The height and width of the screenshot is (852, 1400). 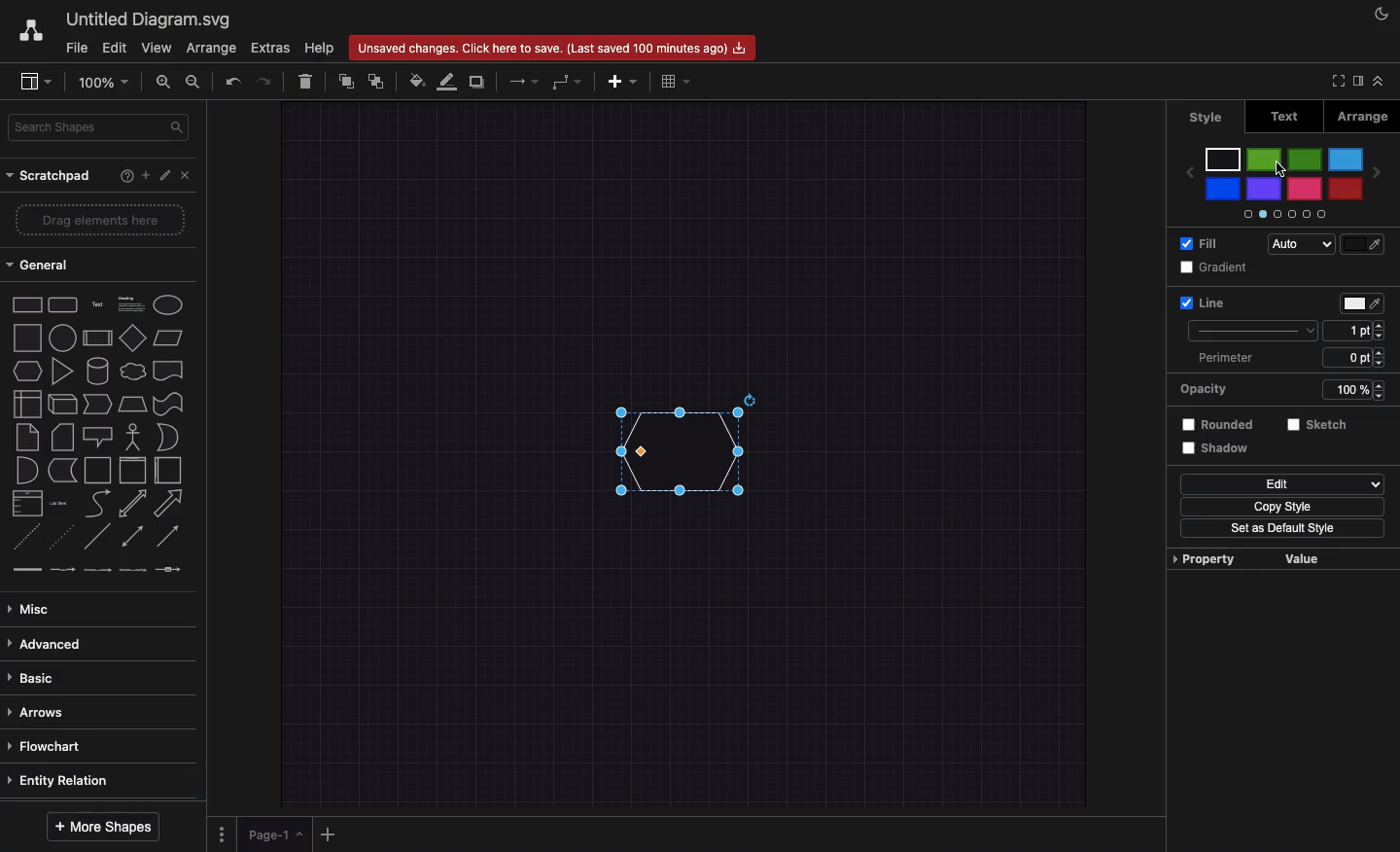 I want to click on Arrows, so click(x=40, y=711).